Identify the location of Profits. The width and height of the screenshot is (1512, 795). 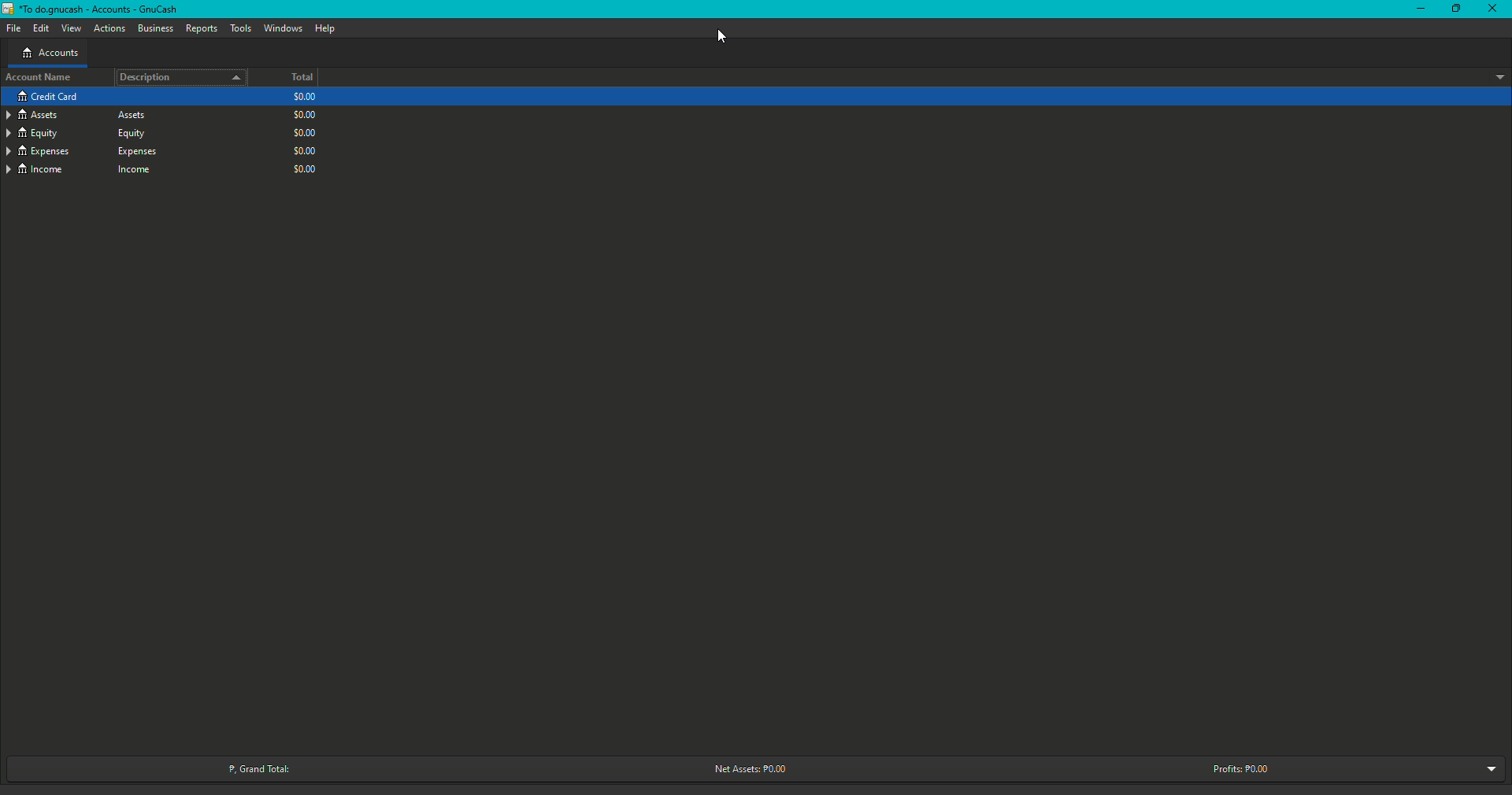
(1233, 767).